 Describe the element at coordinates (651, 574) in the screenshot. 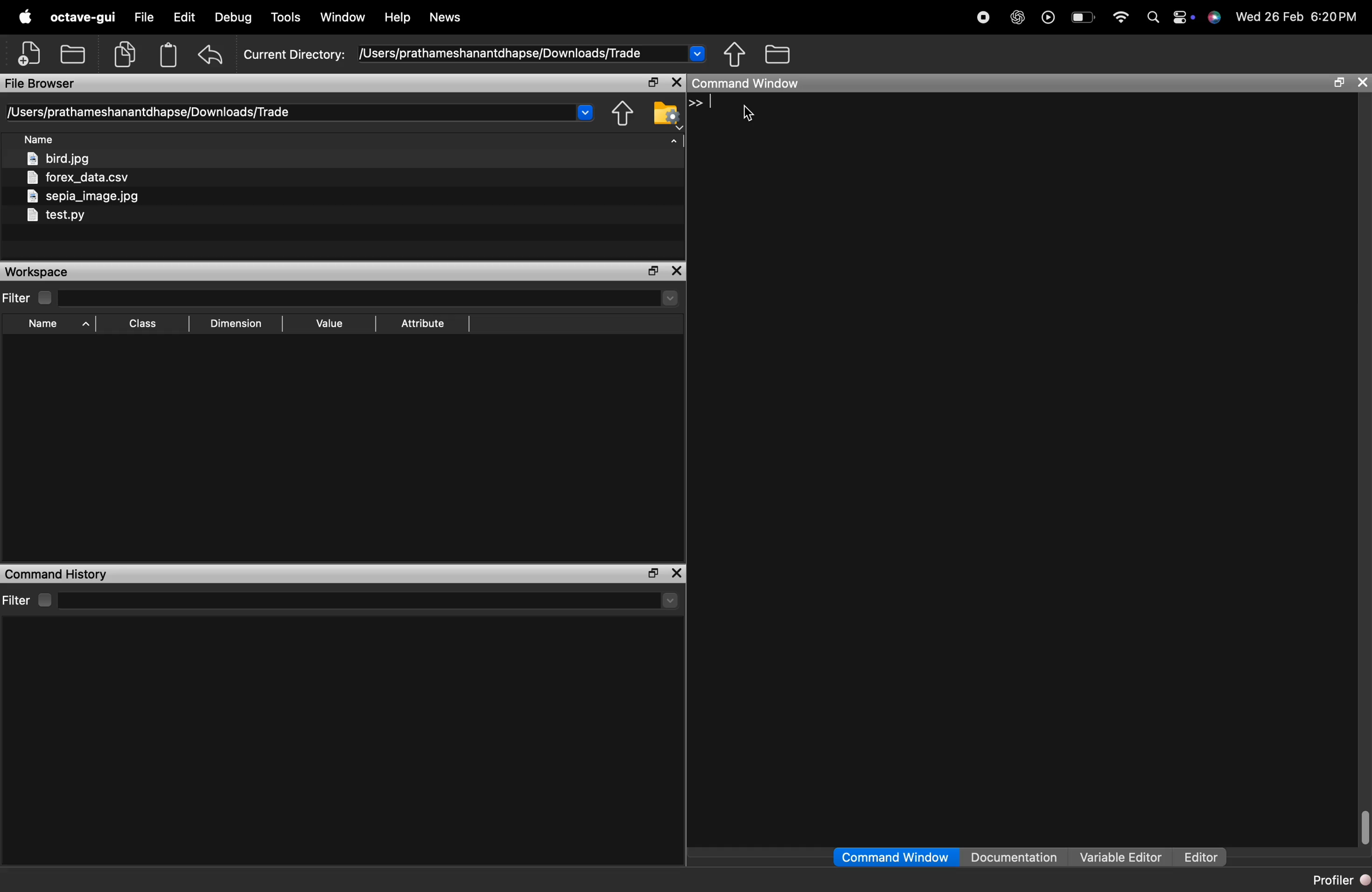

I see `maximize` at that location.